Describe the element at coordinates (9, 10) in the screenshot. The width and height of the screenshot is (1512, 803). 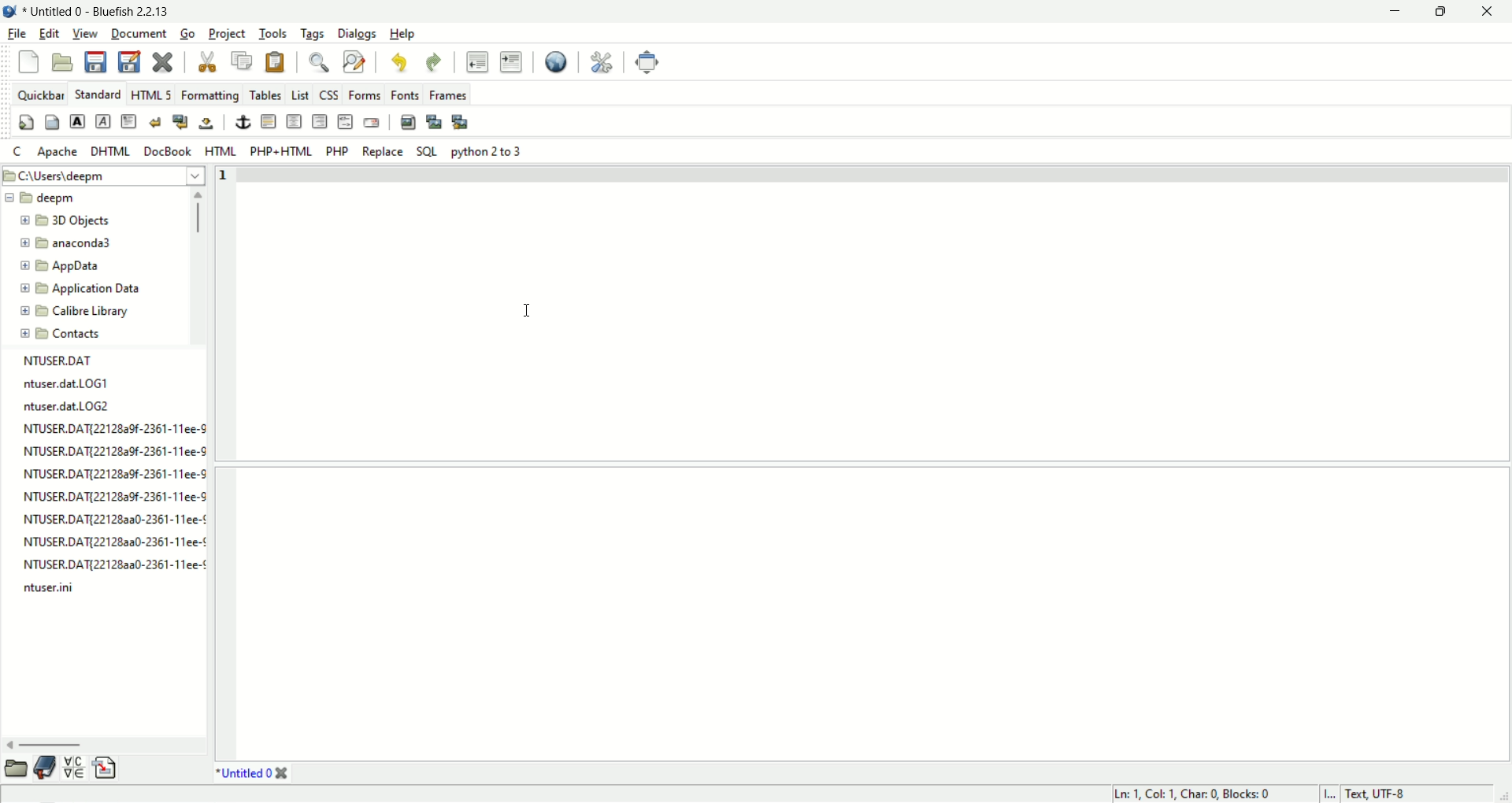
I see `application image` at that location.